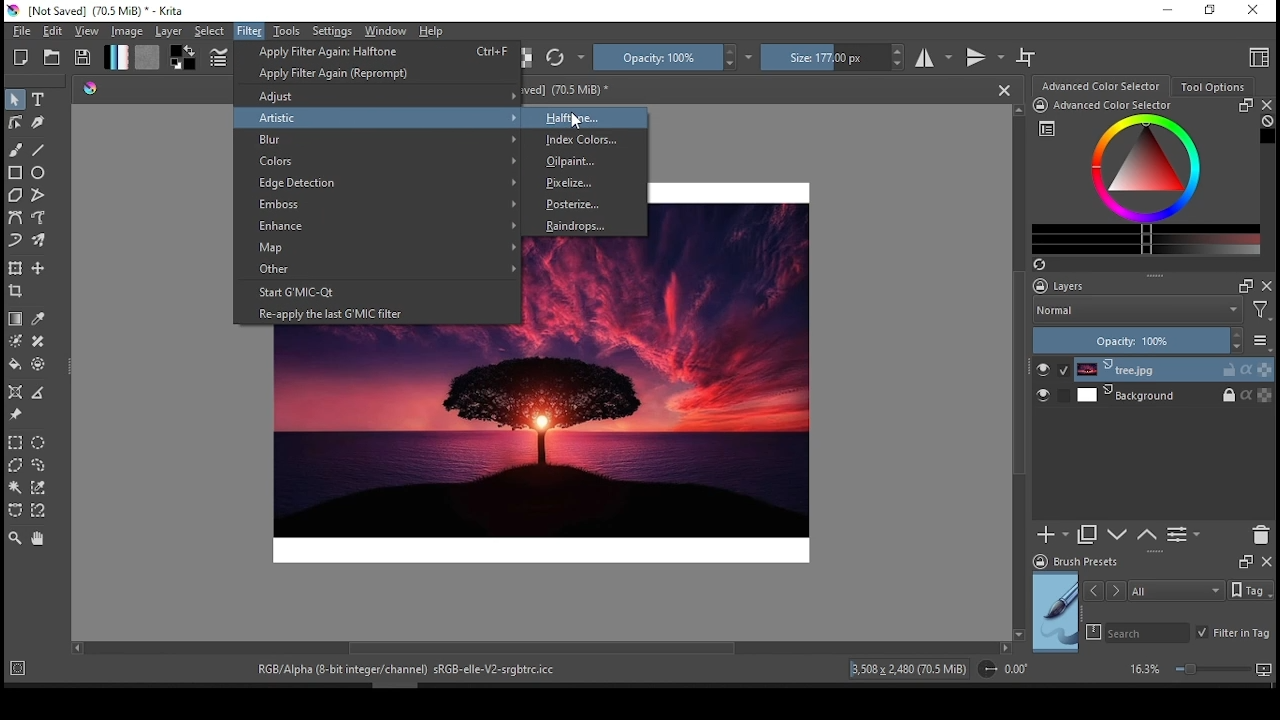 This screenshot has width=1280, height=720. Describe the element at coordinates (15, 391) in the screenshot. I see `assistant tool` at that location.